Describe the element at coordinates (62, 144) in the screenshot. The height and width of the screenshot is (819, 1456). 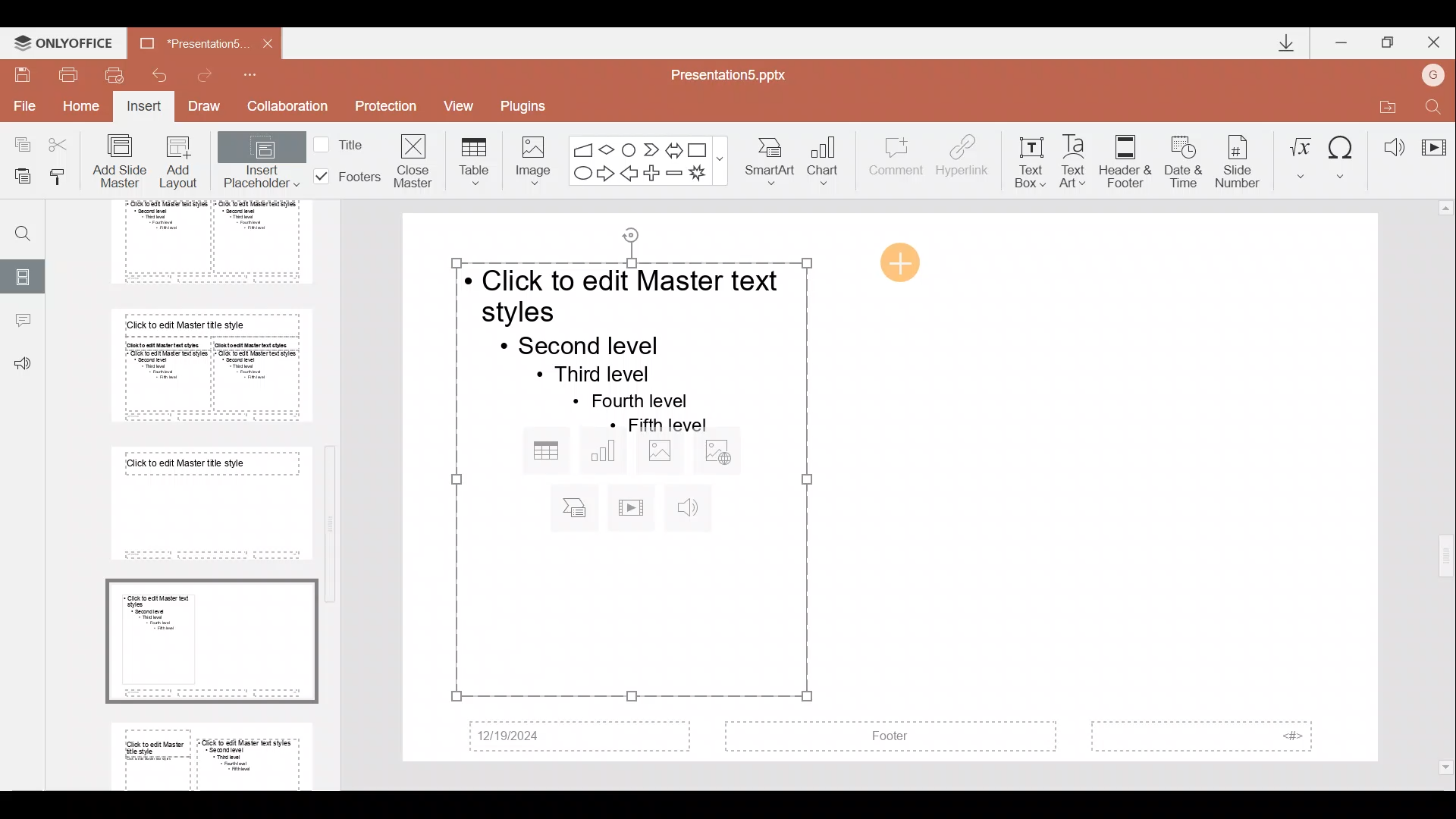
I see `Cut` at that location.